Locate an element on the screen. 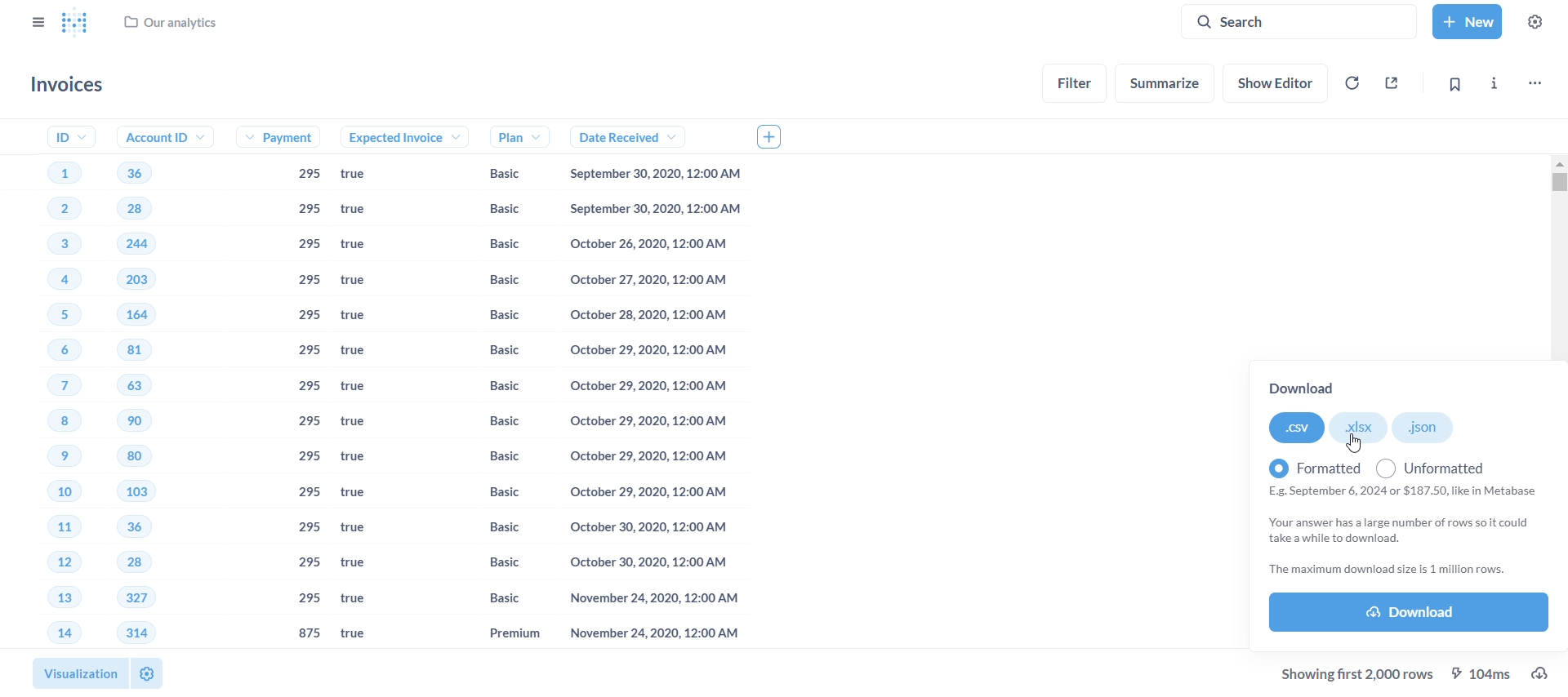  314 is located at coordinates (136, 632).